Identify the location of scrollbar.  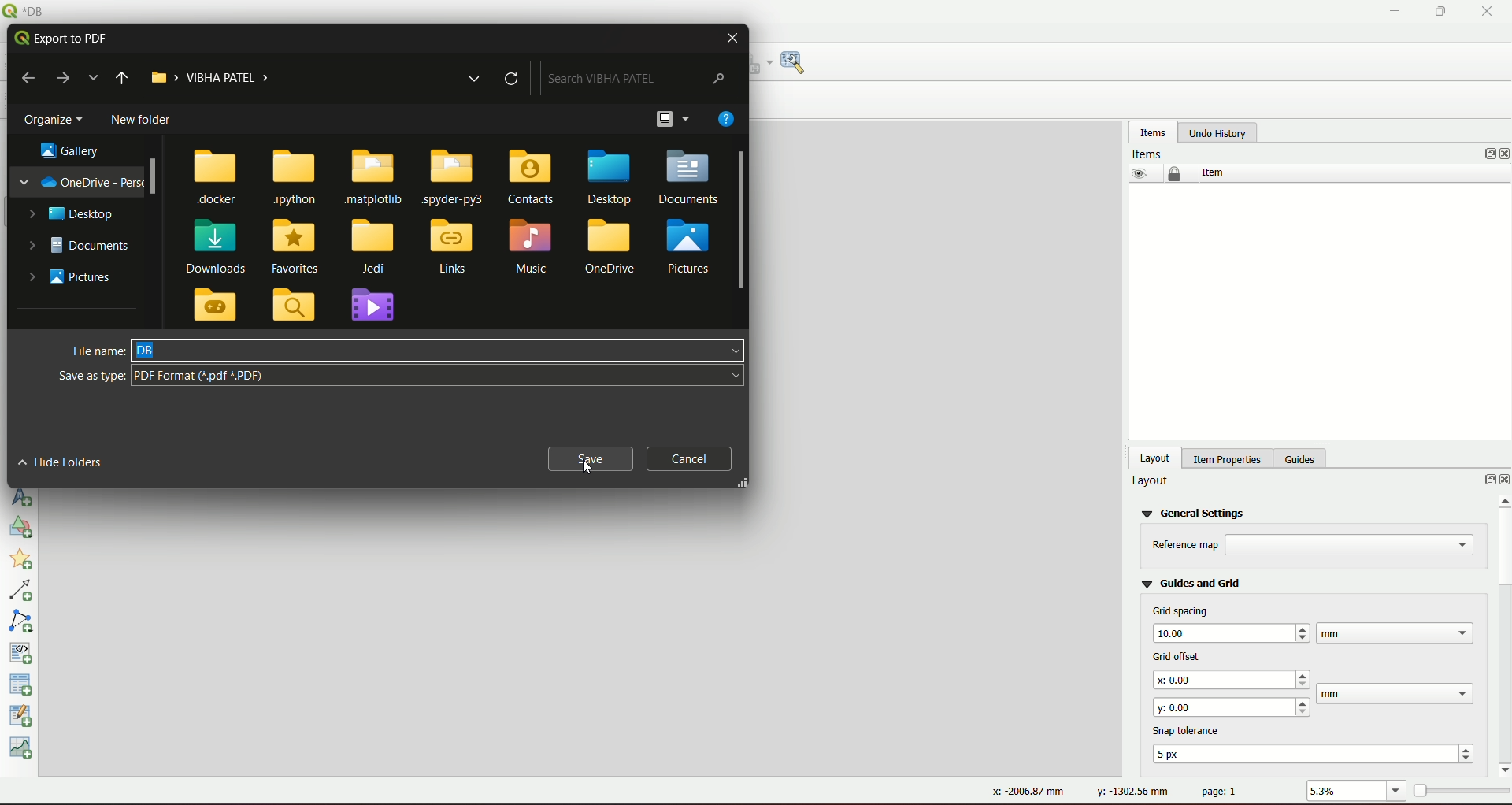
(1501, 633).